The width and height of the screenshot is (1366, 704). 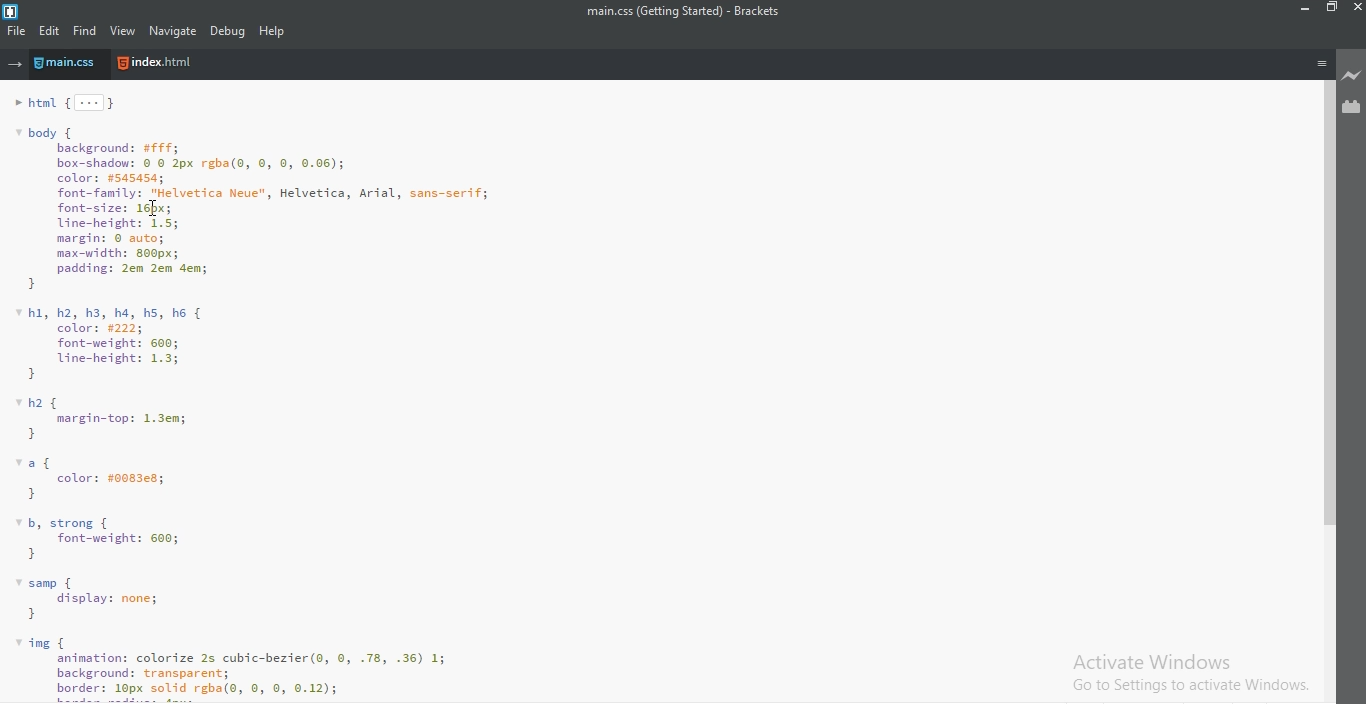 I want to click on logo, so click(x=13, y=9).